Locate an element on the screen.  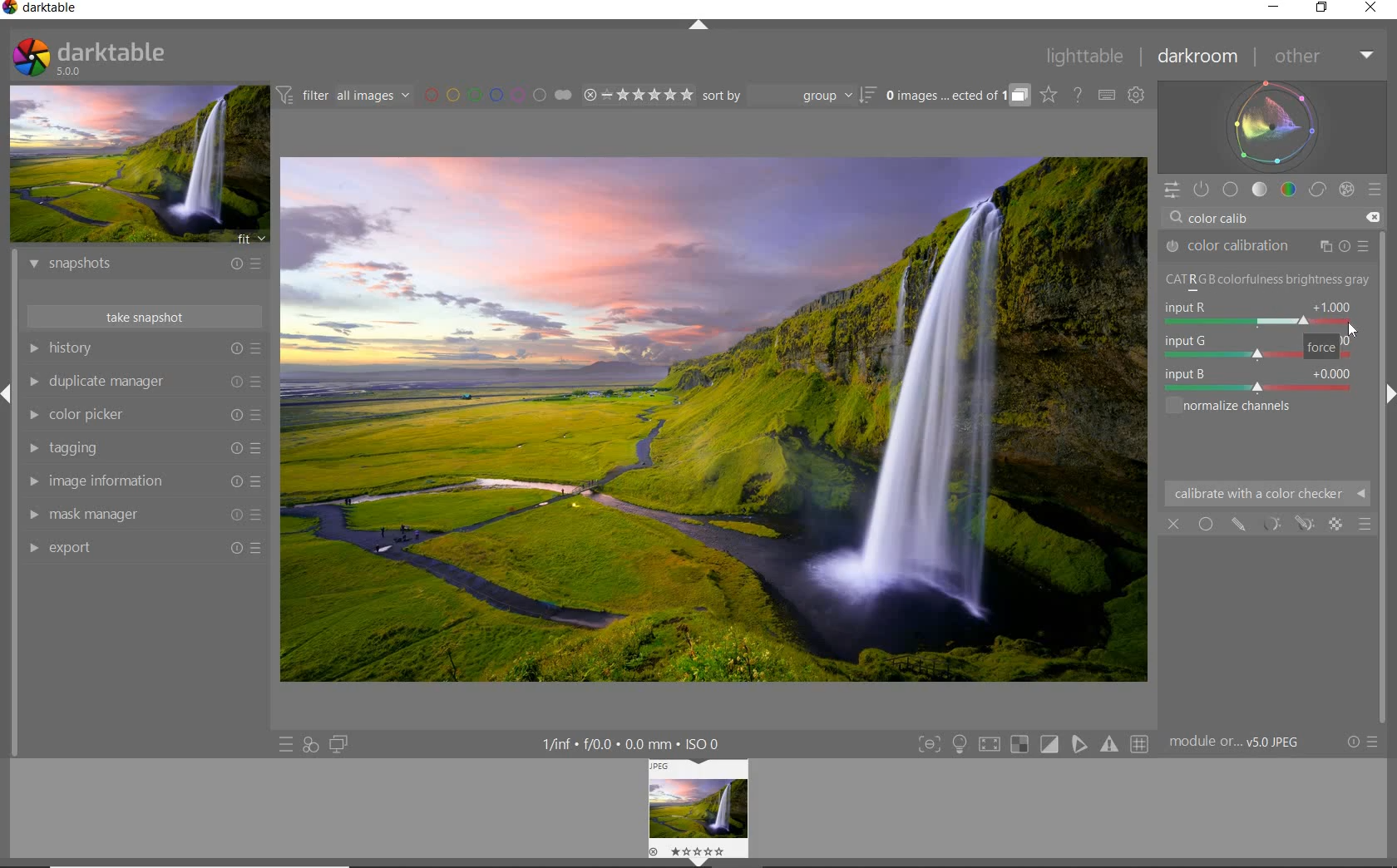
UNIFORMLY is located at coordinates (1206, 524).